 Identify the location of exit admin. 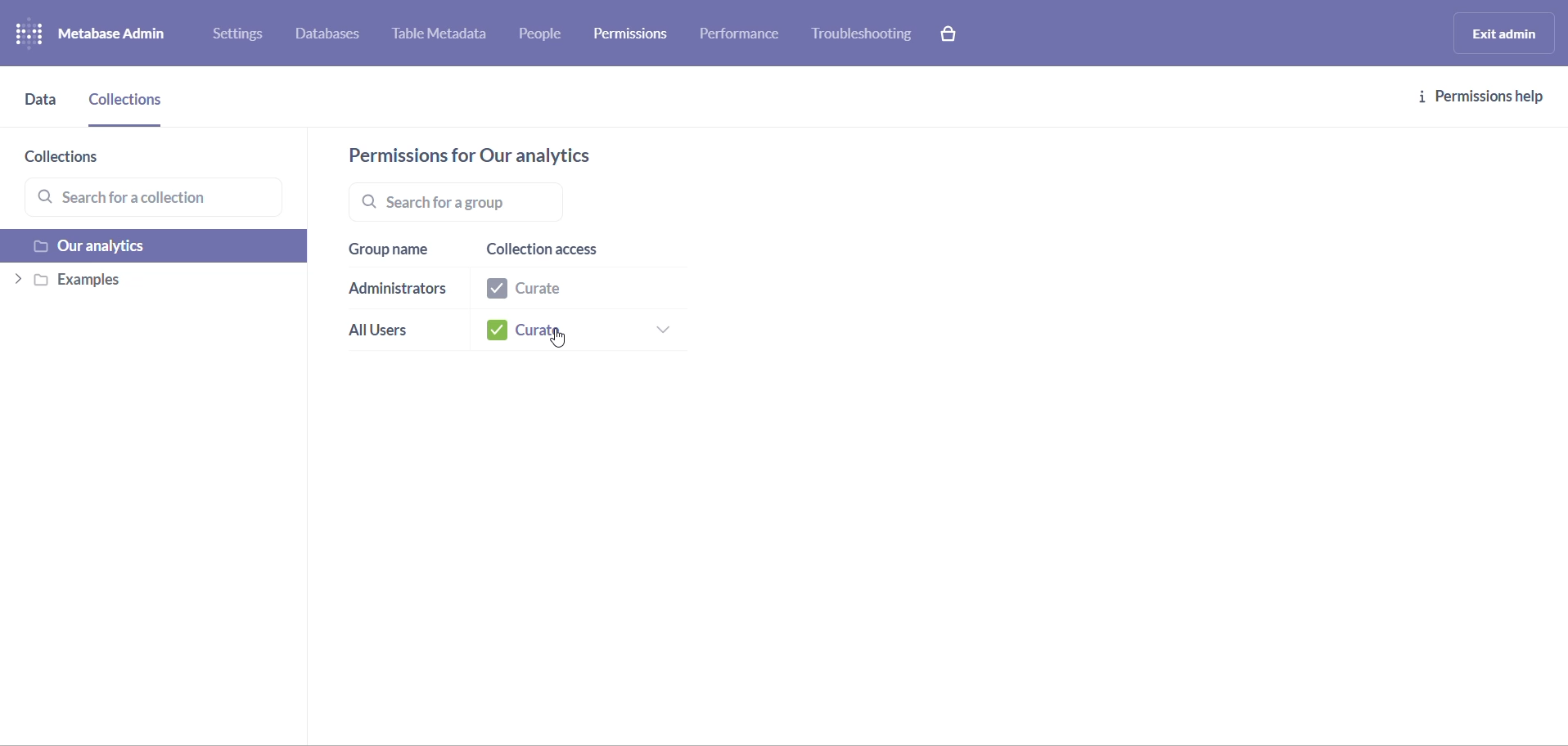
(1501, 33).